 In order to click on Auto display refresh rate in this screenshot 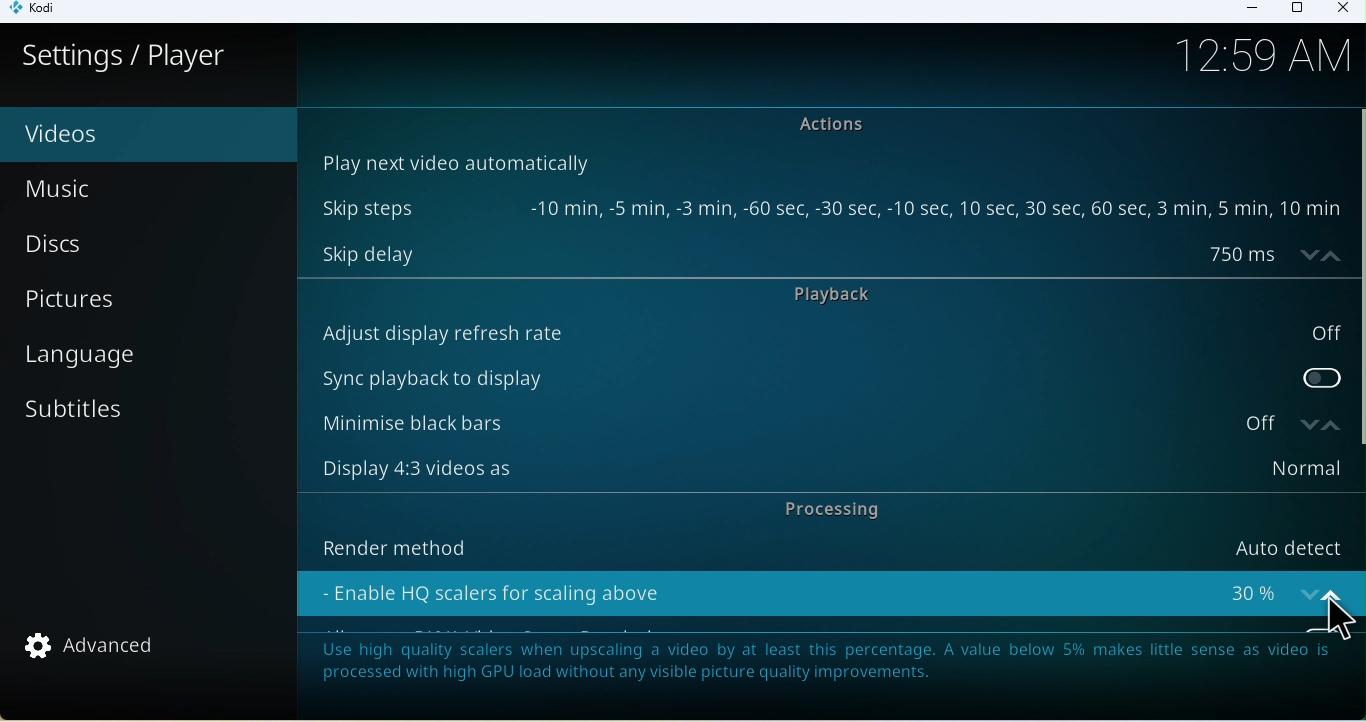, I will do `click(828, 333)`.